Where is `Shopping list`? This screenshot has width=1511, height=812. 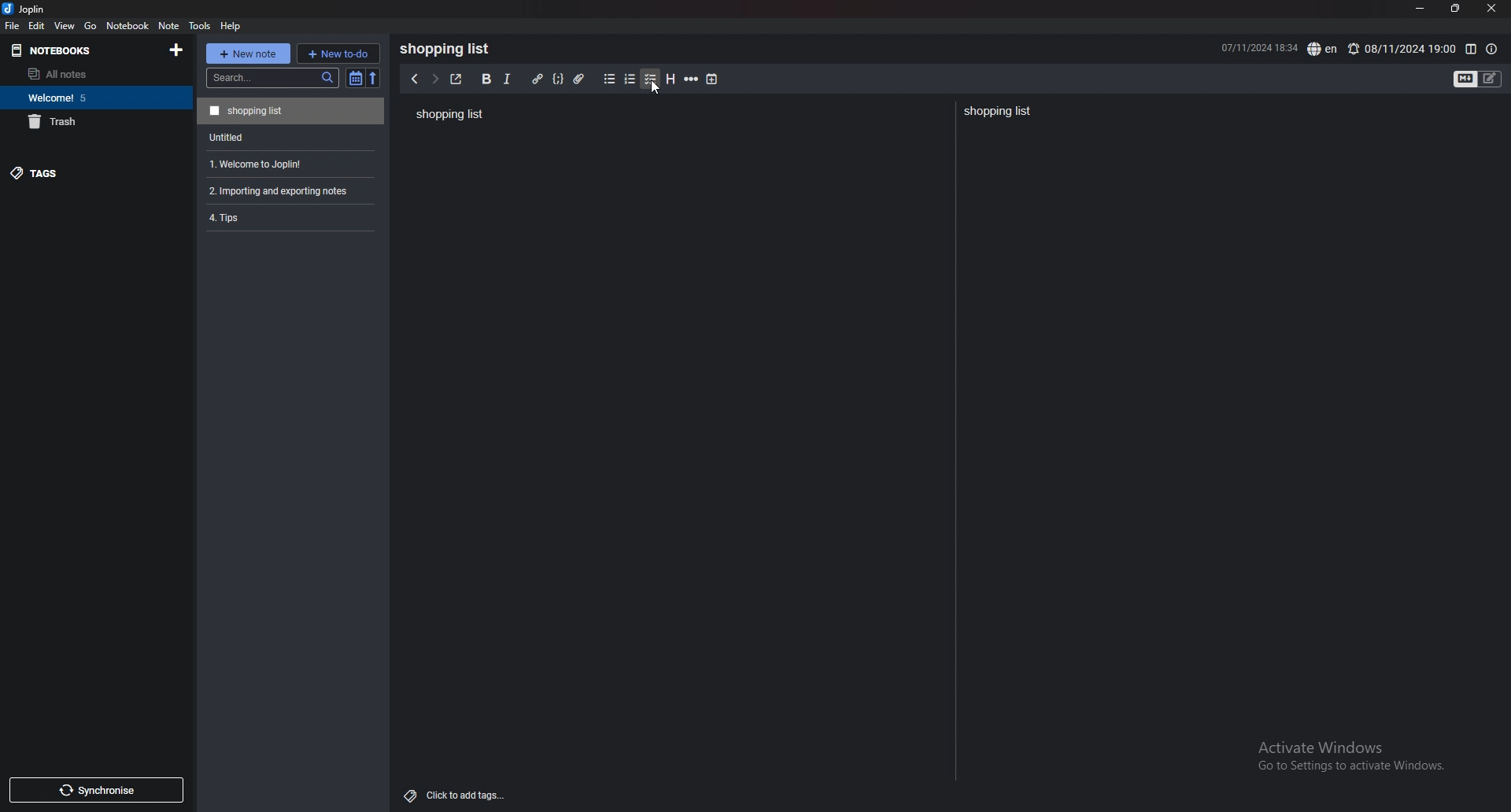 Shopping list is located at coordinates (999, 112).